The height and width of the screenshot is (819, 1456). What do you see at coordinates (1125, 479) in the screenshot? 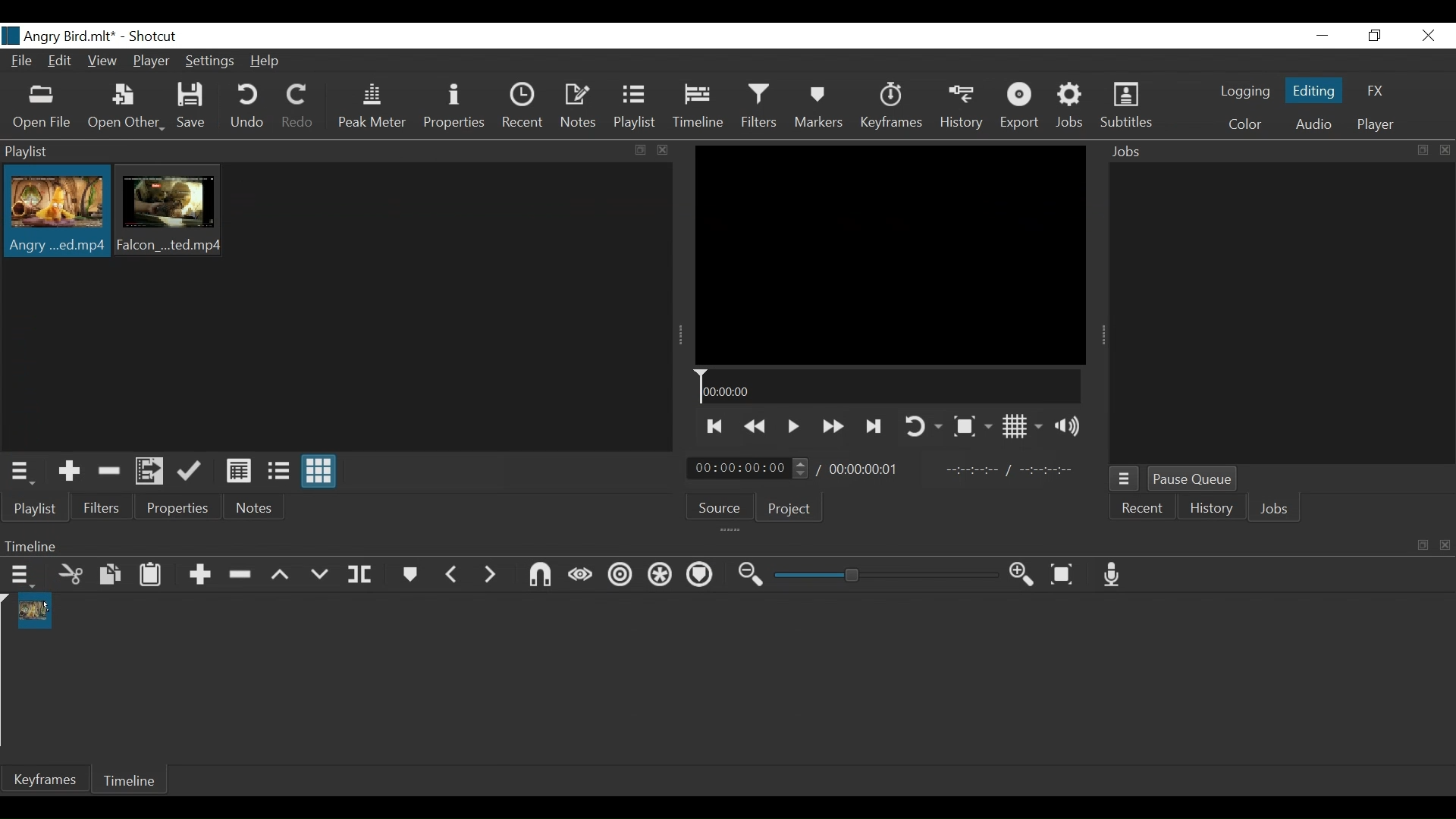
I see `Jobs Menu` at bounding box center [1125, 479].